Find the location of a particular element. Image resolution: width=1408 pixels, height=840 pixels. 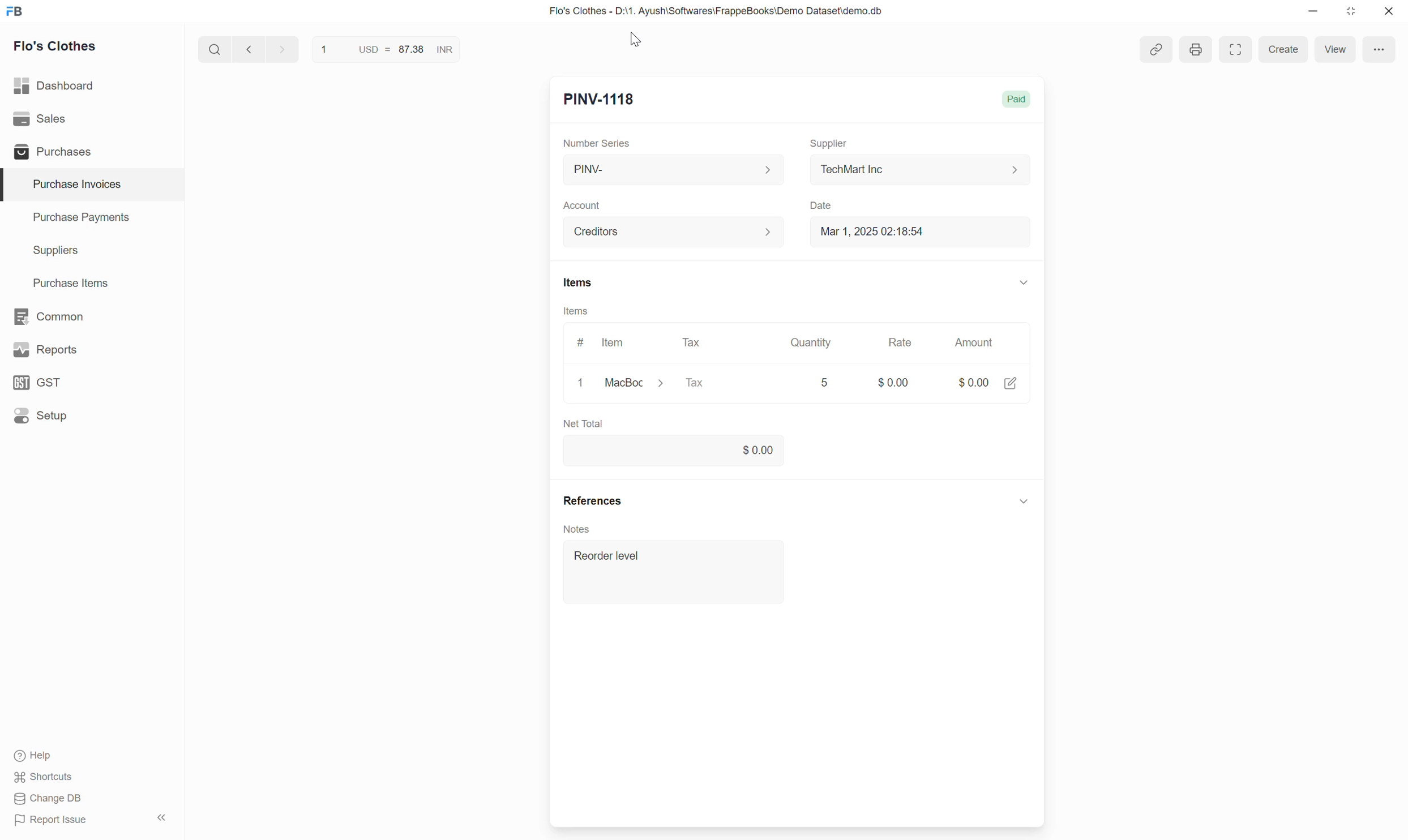

Collapse is located at coordinates (1024, 282).